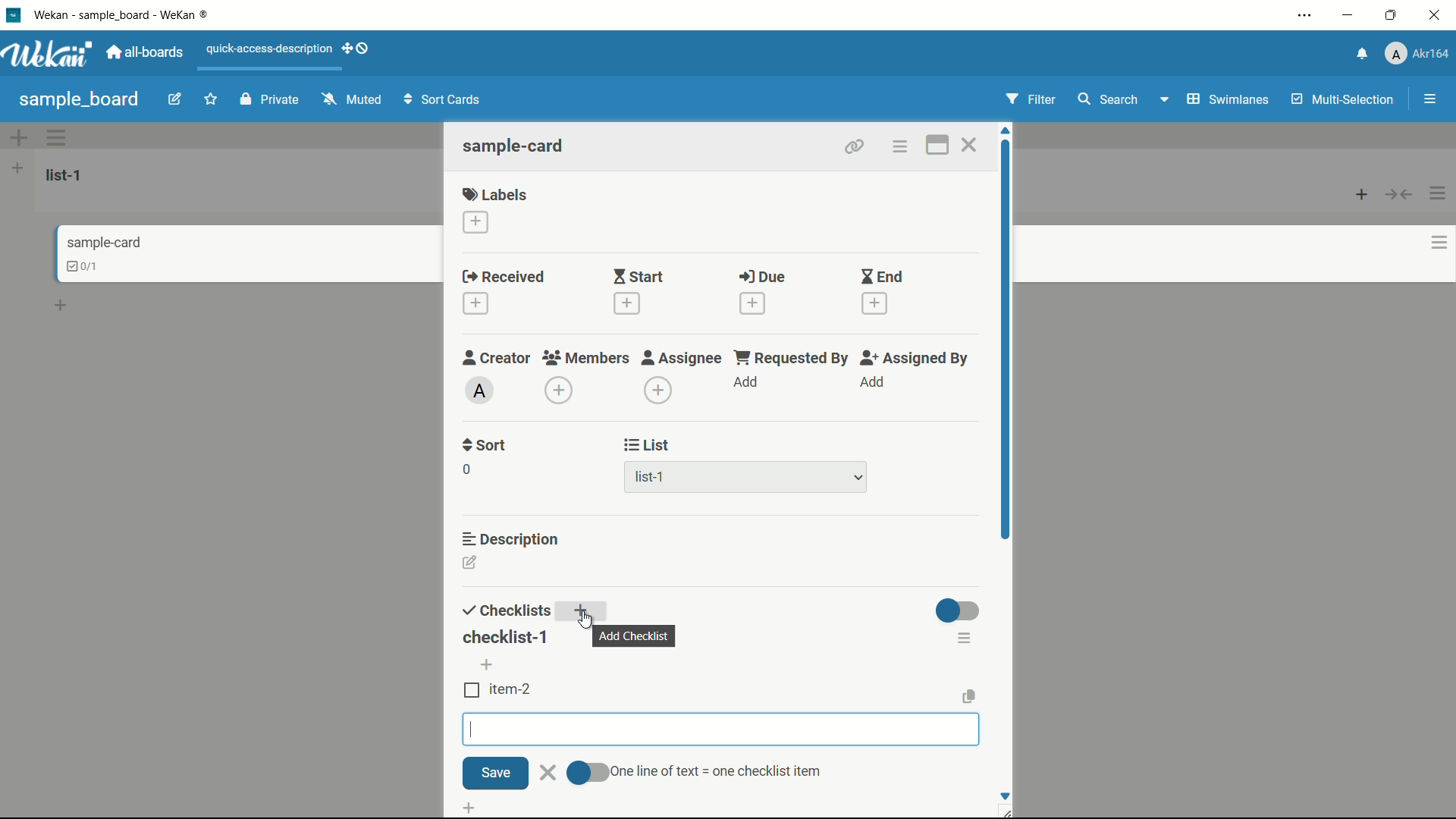 The image size is (1456, 819). What do you see at coordinates (871, 382) in the screenshot?
I see `add` at bounding box center [871, 382].